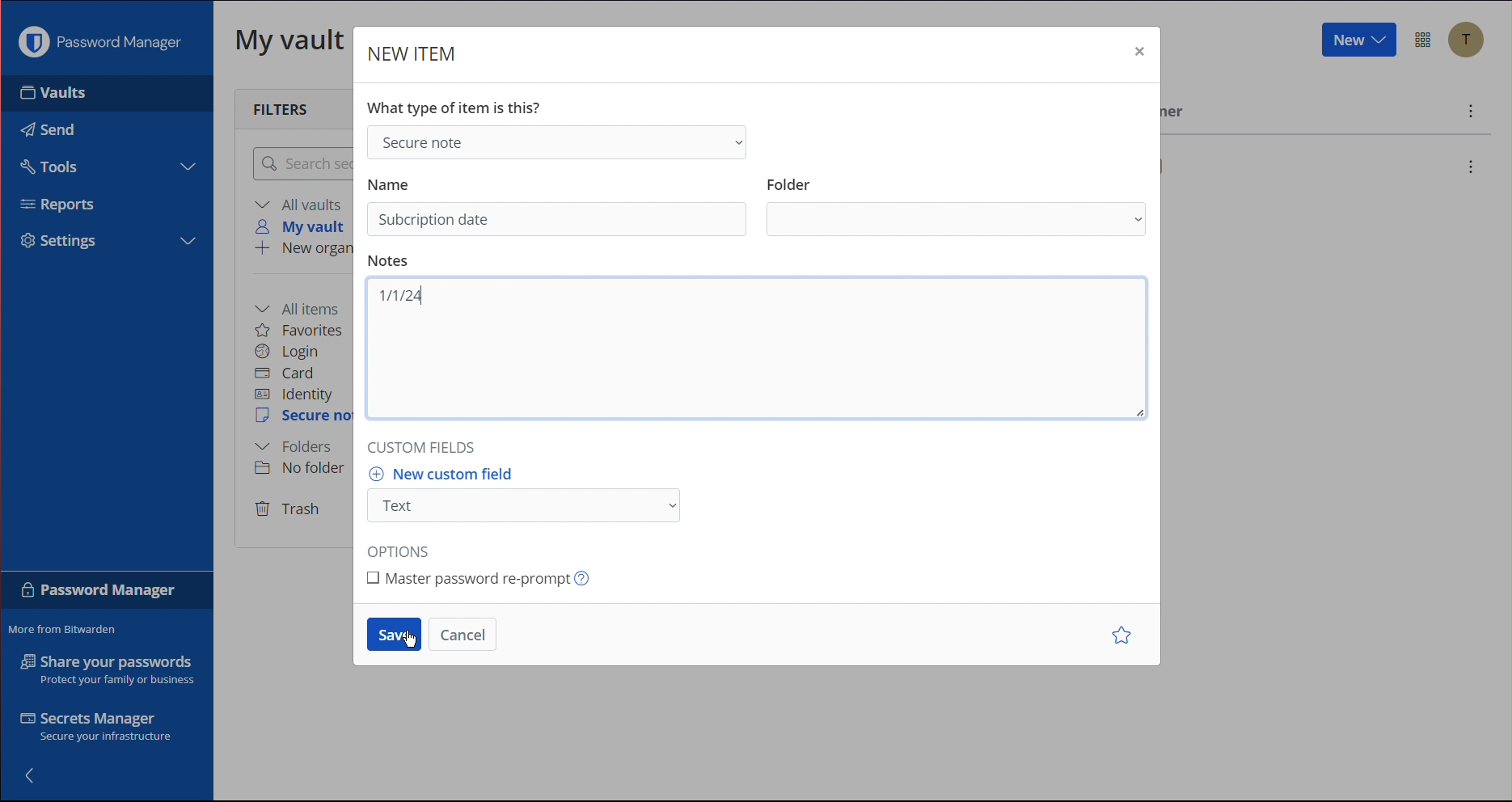  What do you see at coordinates (66, 241) in the screenshot?
I see `Settings` at bounding box center [66, 241].